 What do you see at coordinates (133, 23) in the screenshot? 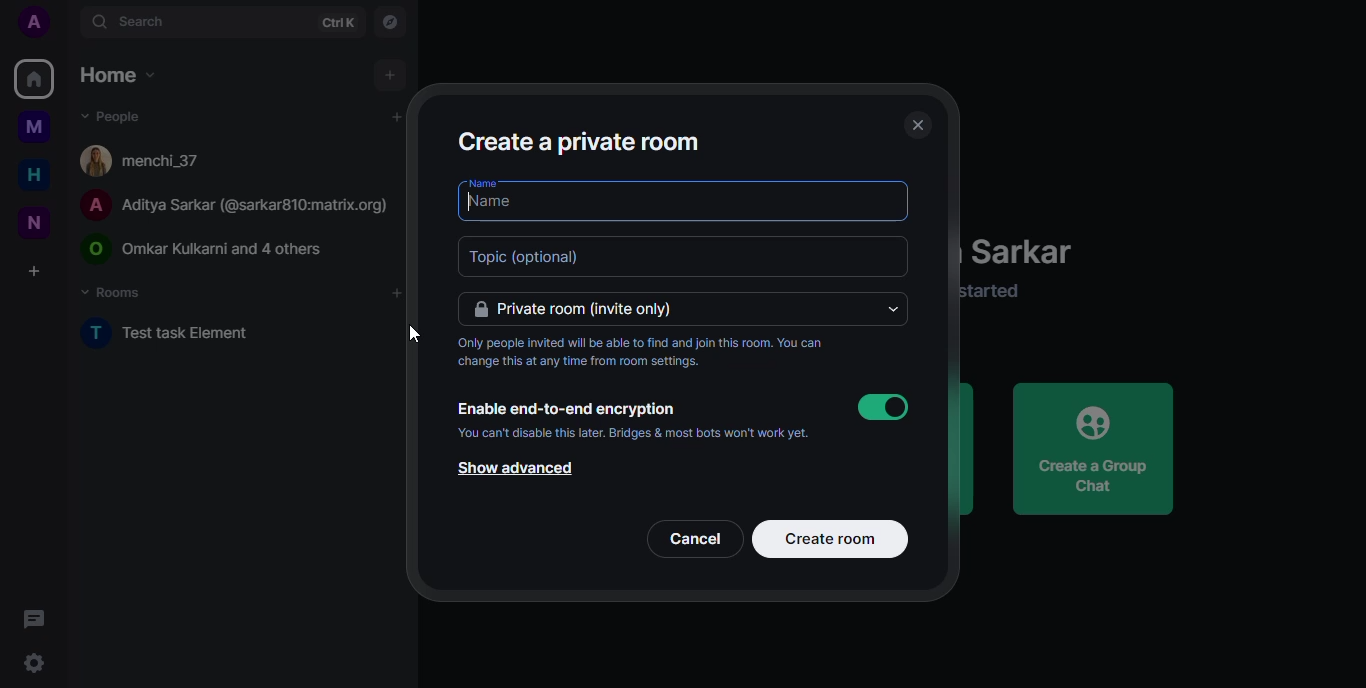
I see `search` at bounding box center [133, 23].